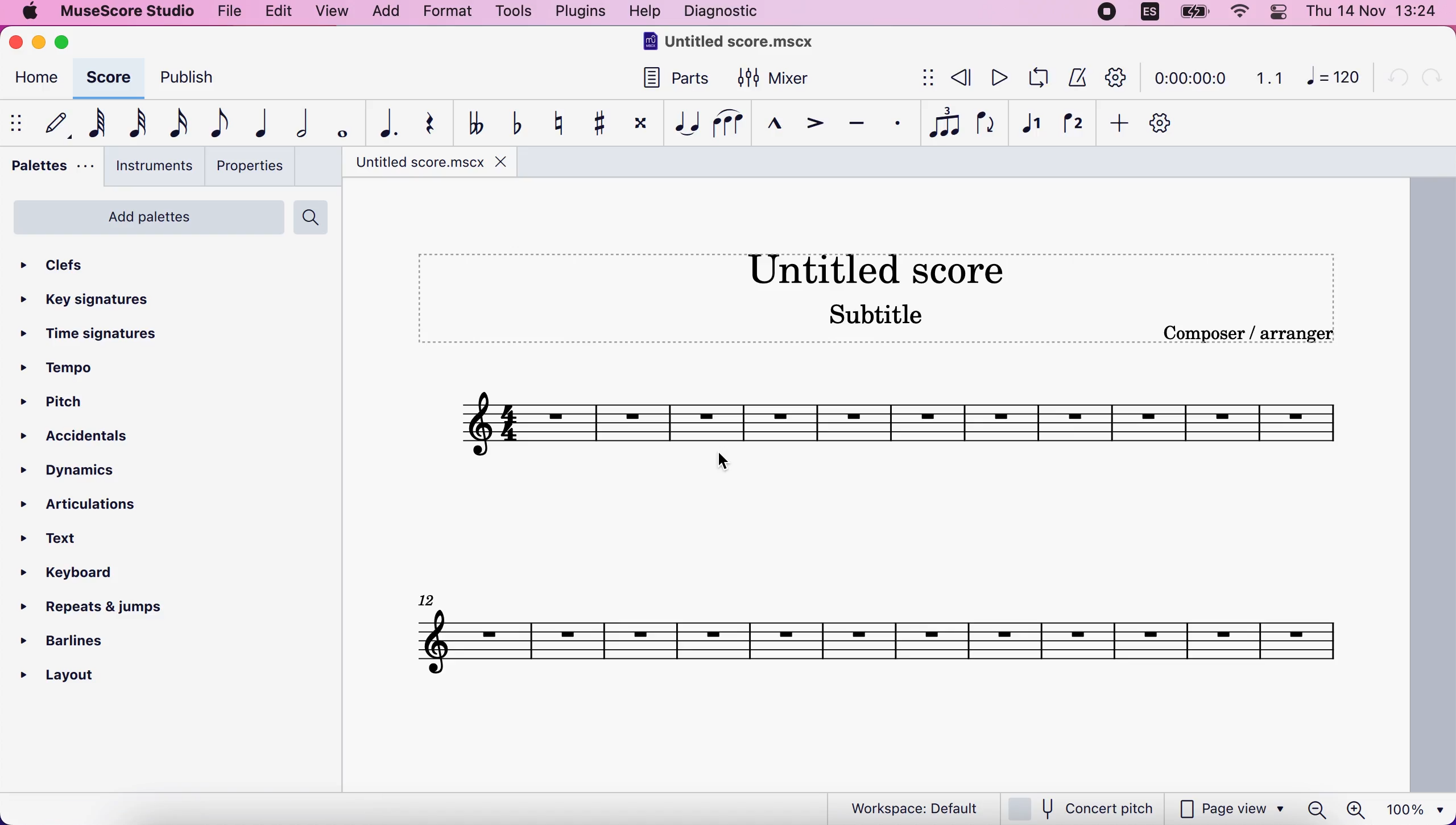  What do you see at coordinates (875, 295) in the screenshot?
I see `untitled score subtitle` at bounding box center [875, 295].